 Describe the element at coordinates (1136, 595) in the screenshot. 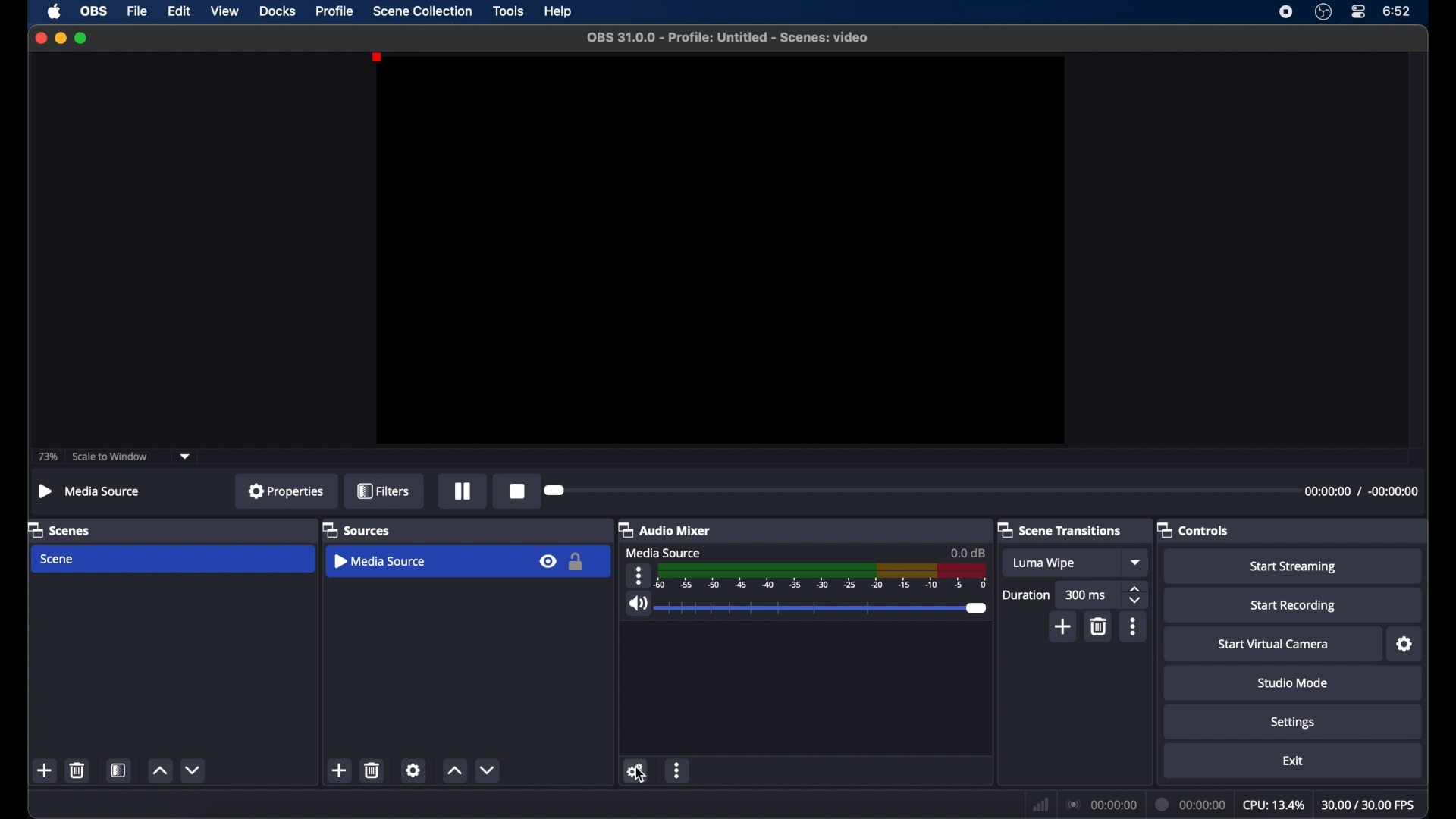

I see `stepper buttons` at that location.